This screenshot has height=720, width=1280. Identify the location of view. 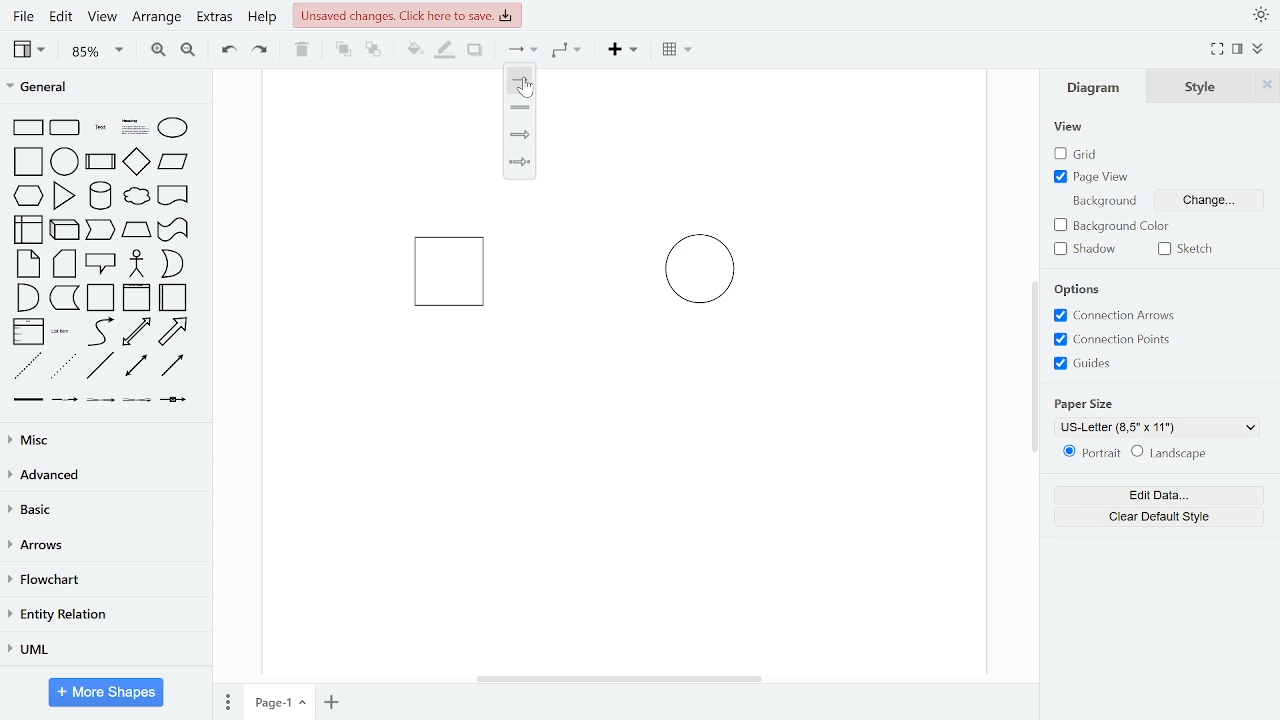
(1070, 128).